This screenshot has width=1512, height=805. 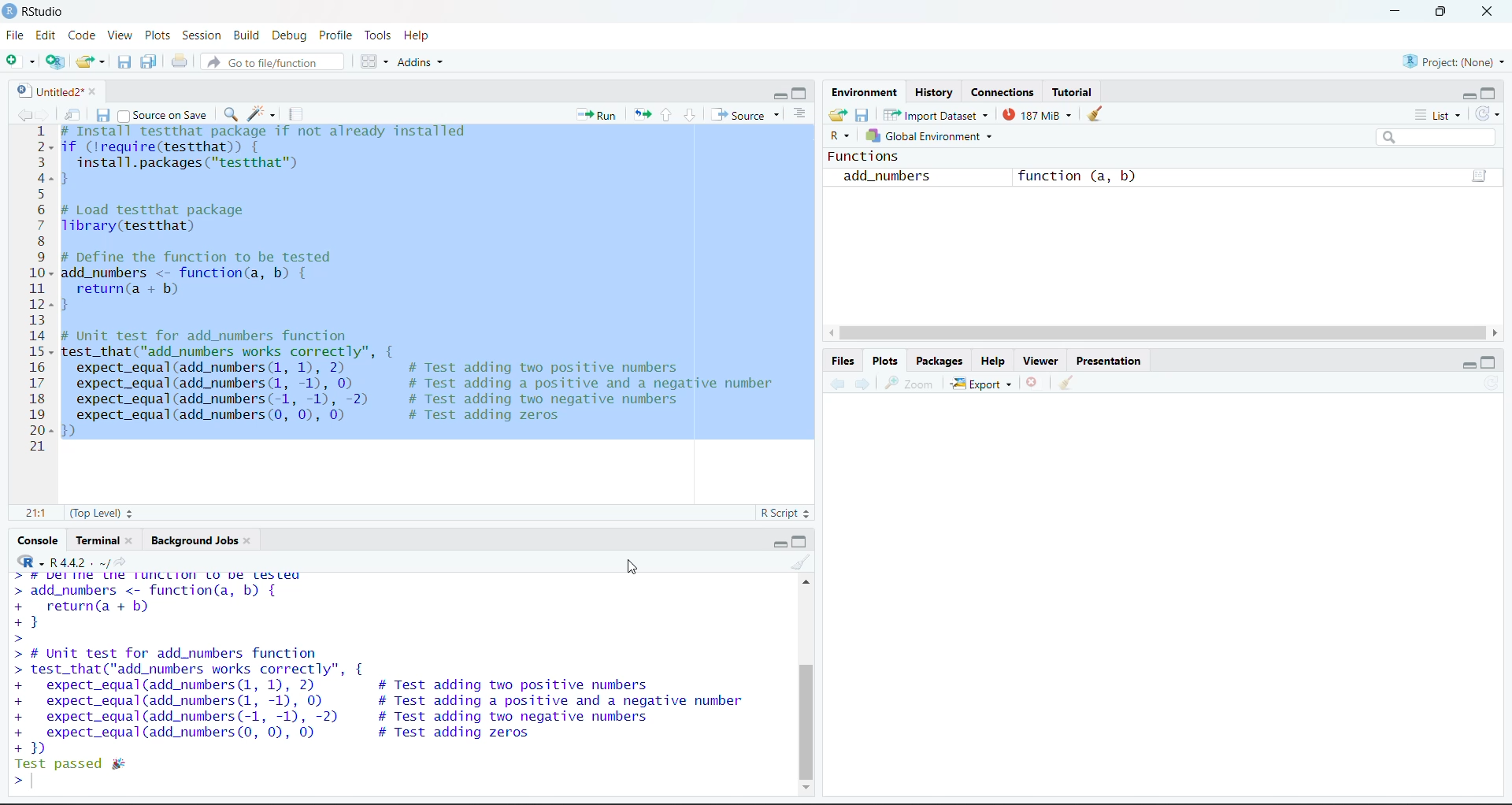 I want to click on File, so click(x=17, y=35).